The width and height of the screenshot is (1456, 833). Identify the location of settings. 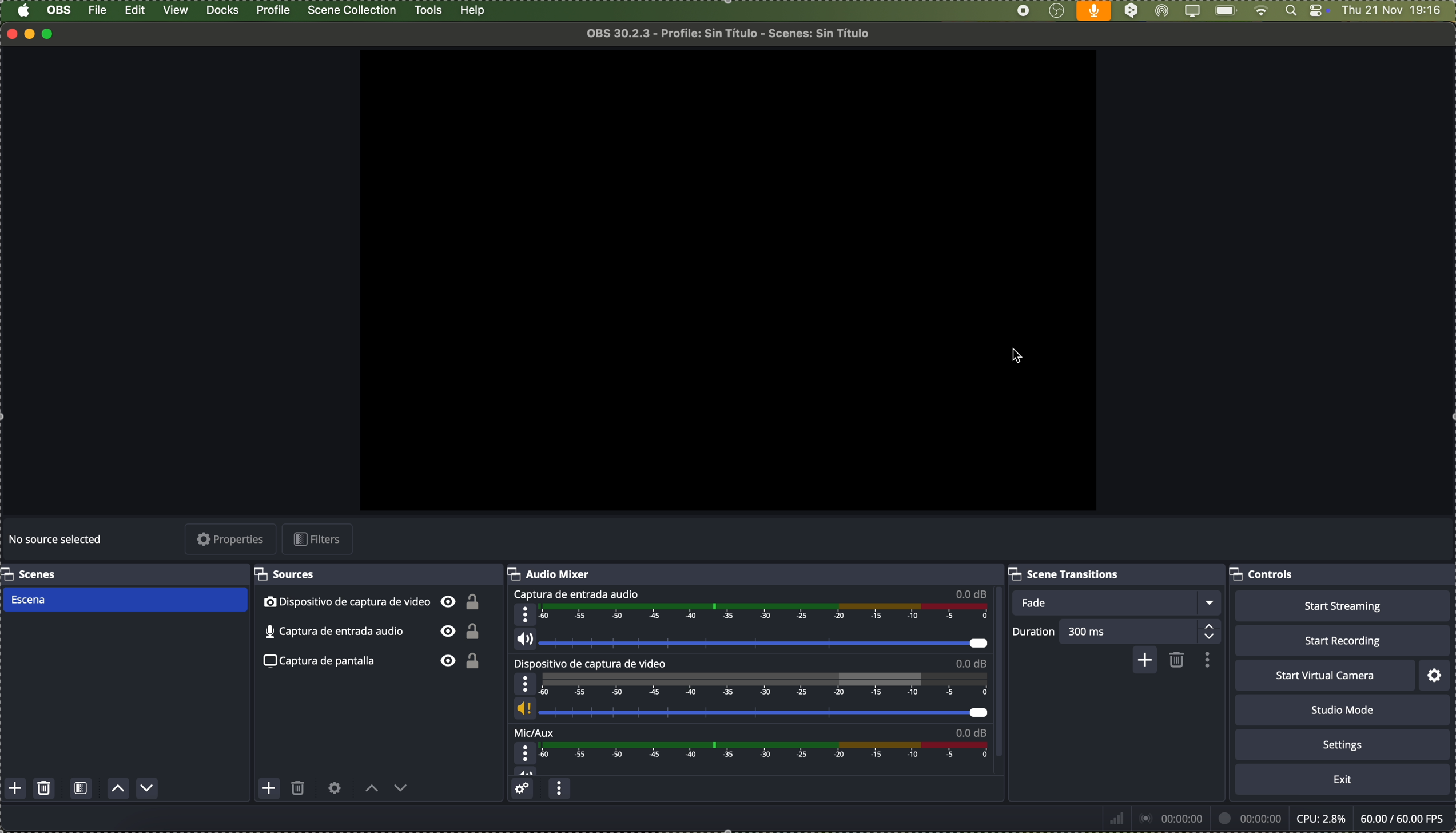
(1436, 675).